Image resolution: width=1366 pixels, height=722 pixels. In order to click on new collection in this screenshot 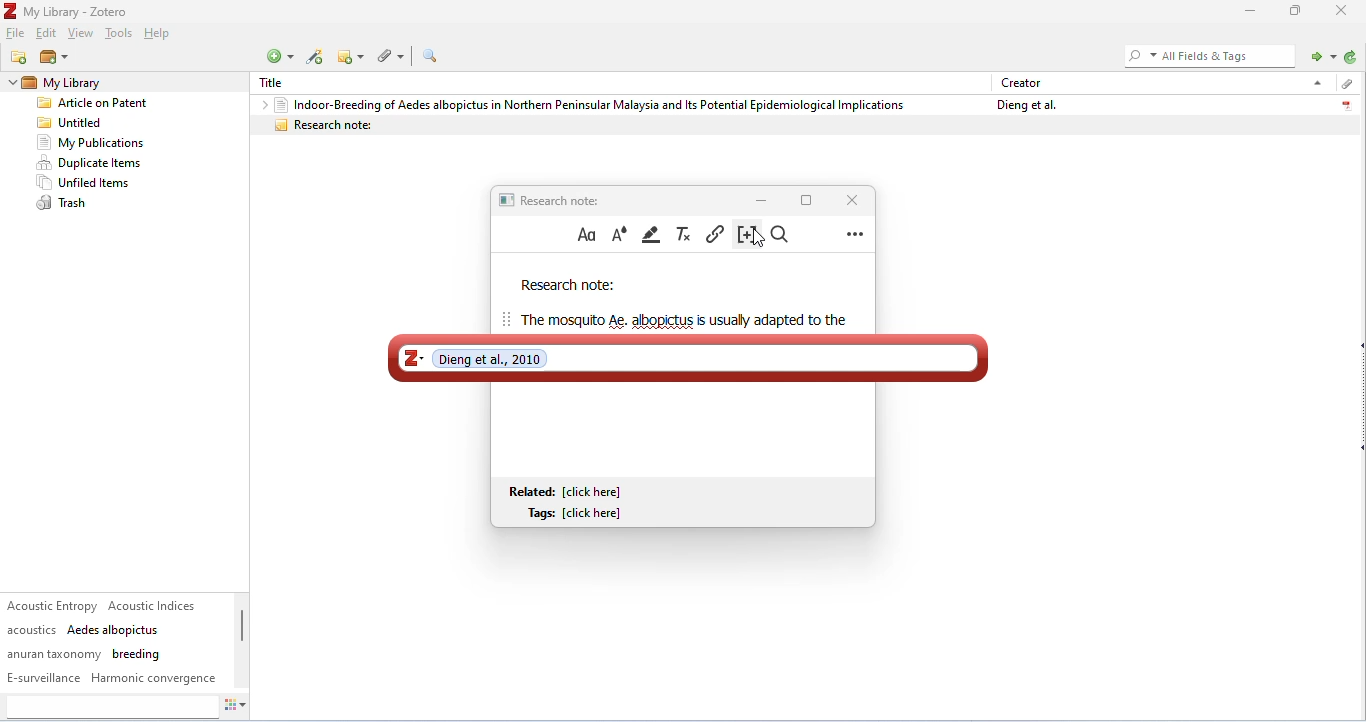, I will do `click(20, 57)`.